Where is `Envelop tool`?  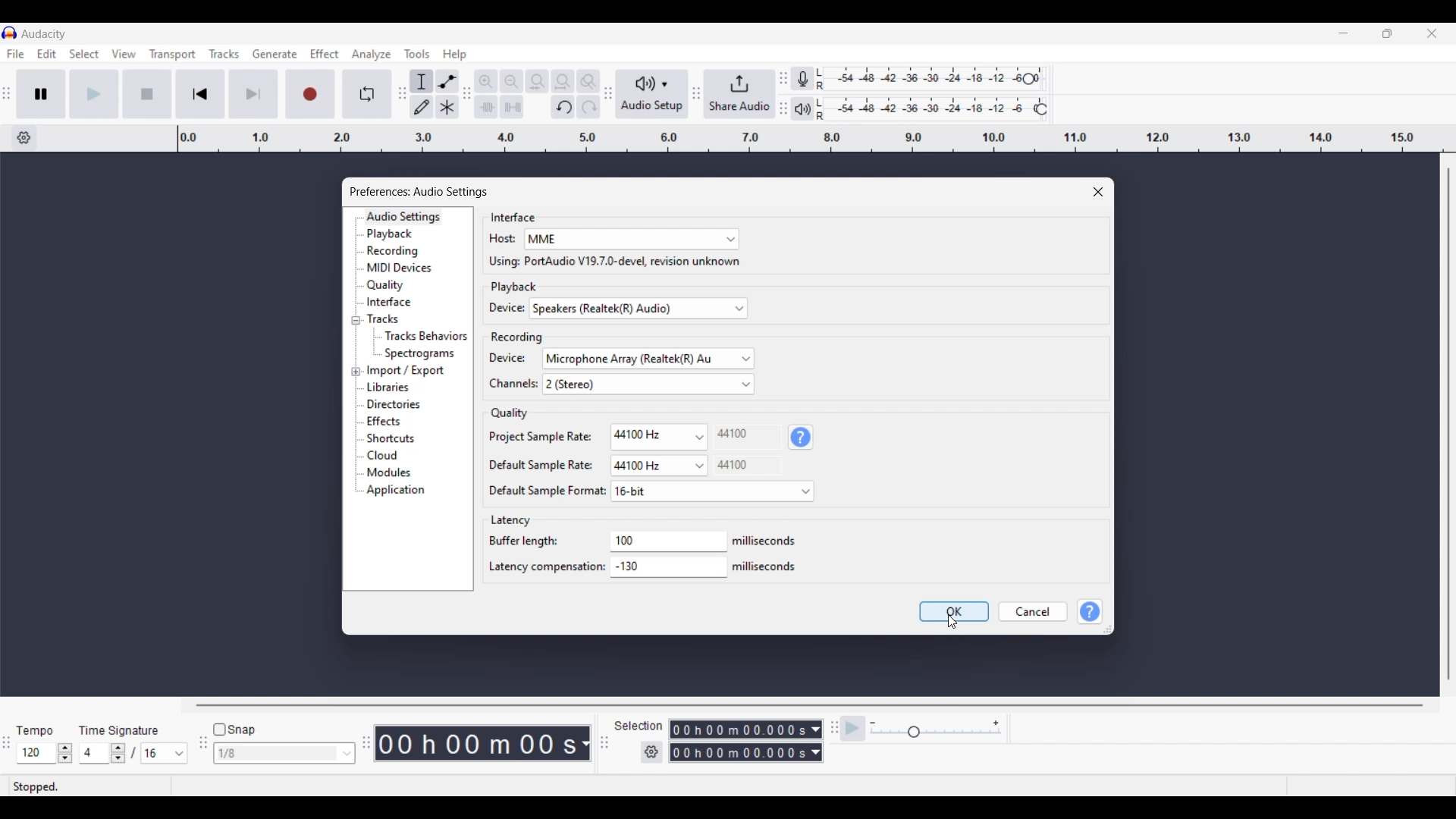 Envelop tool is located at coordinates (447, 81).